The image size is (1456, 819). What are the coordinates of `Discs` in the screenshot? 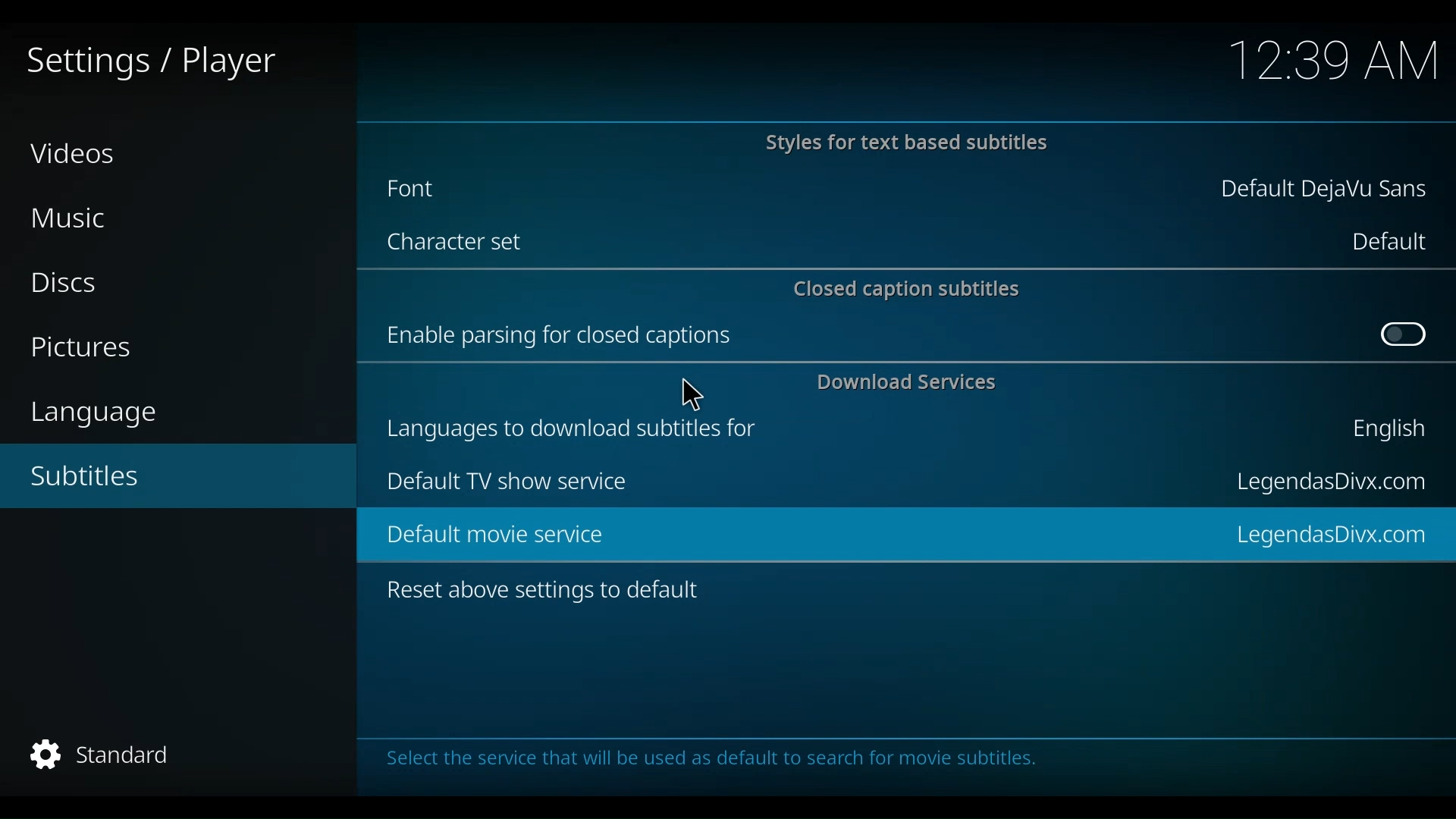 It's located at (71, 283).